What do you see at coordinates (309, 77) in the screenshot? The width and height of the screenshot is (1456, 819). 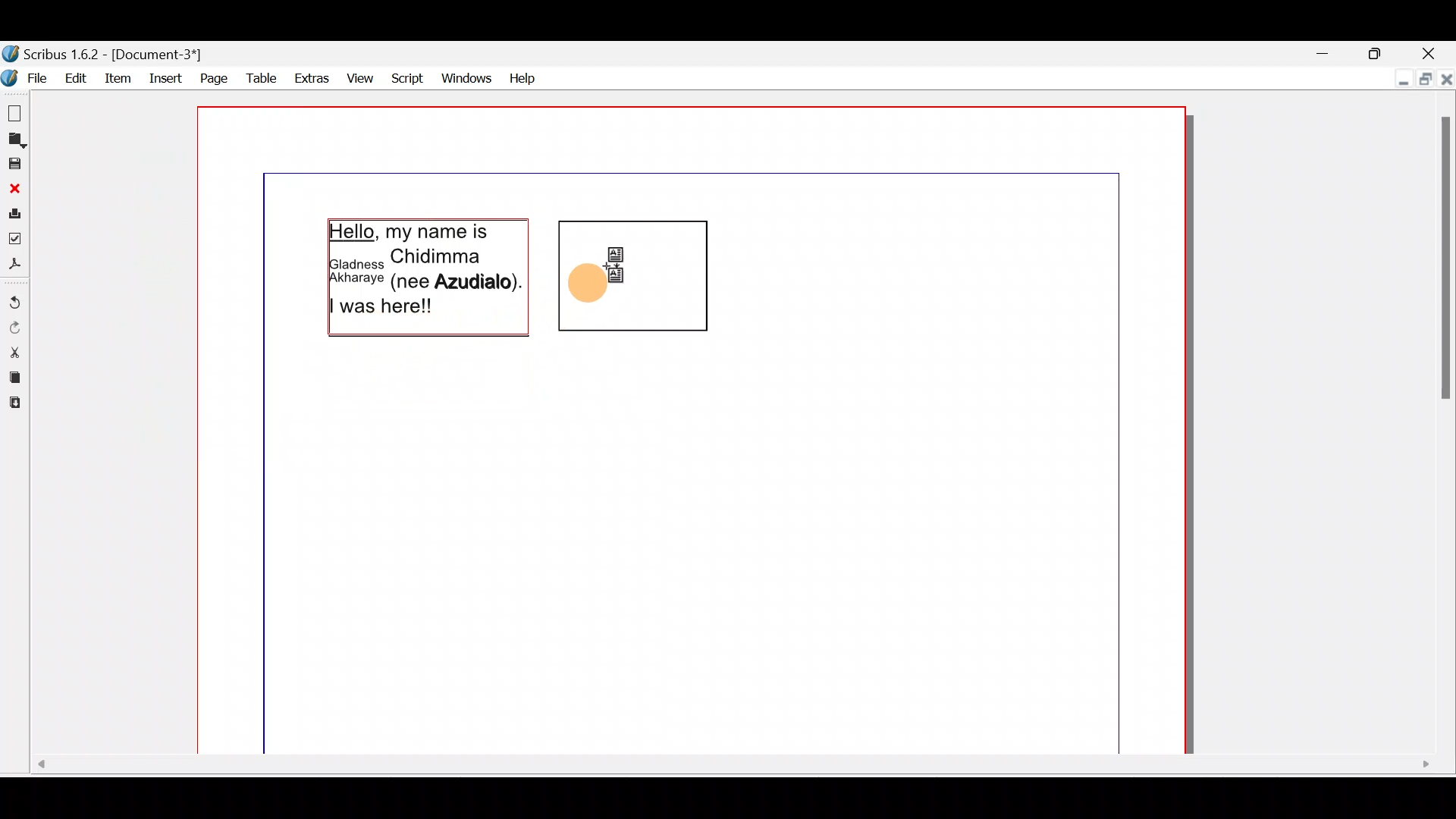 I see `Extras` at bounding box center [309, 77].